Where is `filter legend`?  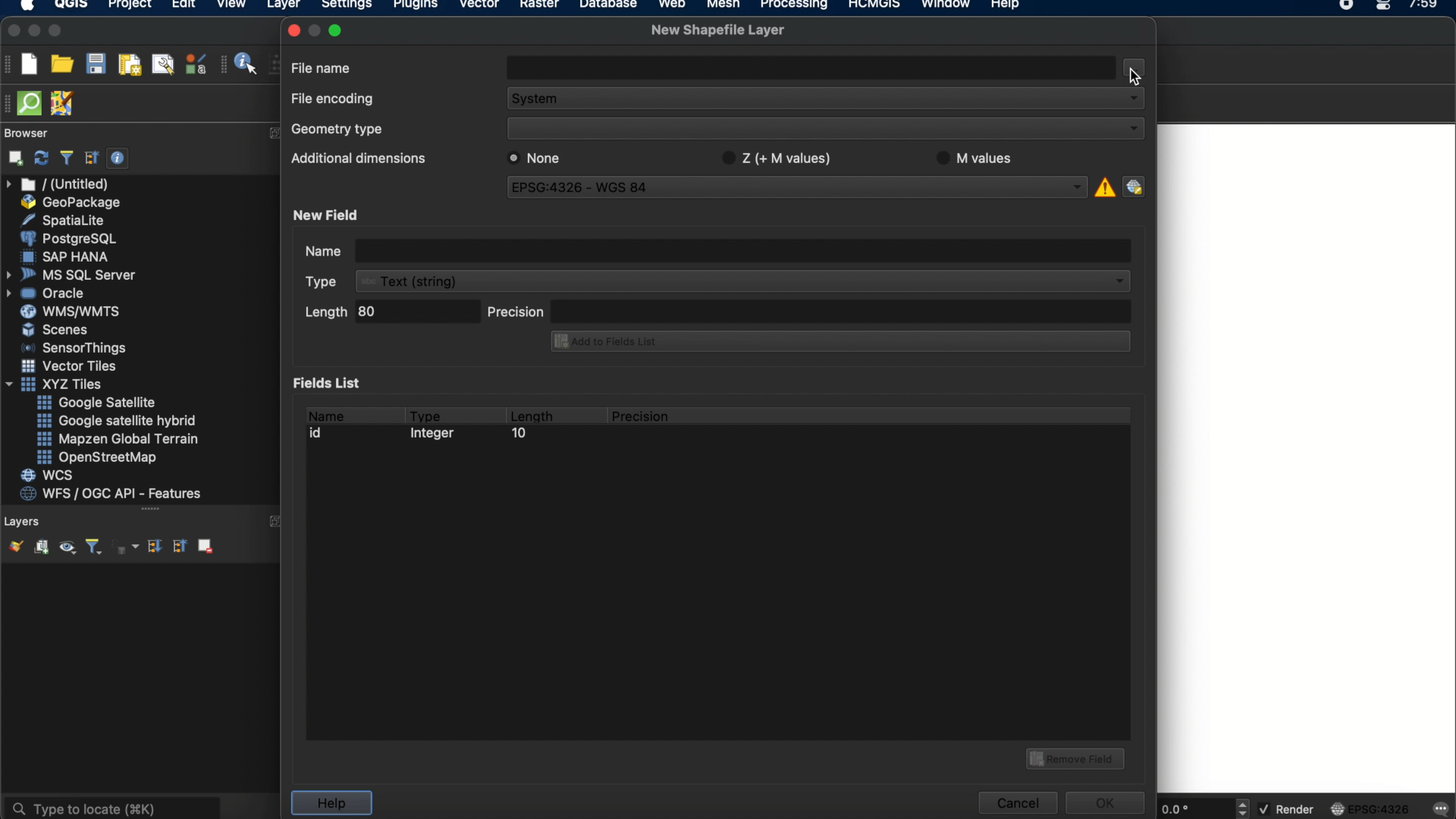
filter legend is located at coordinates (93, 548).